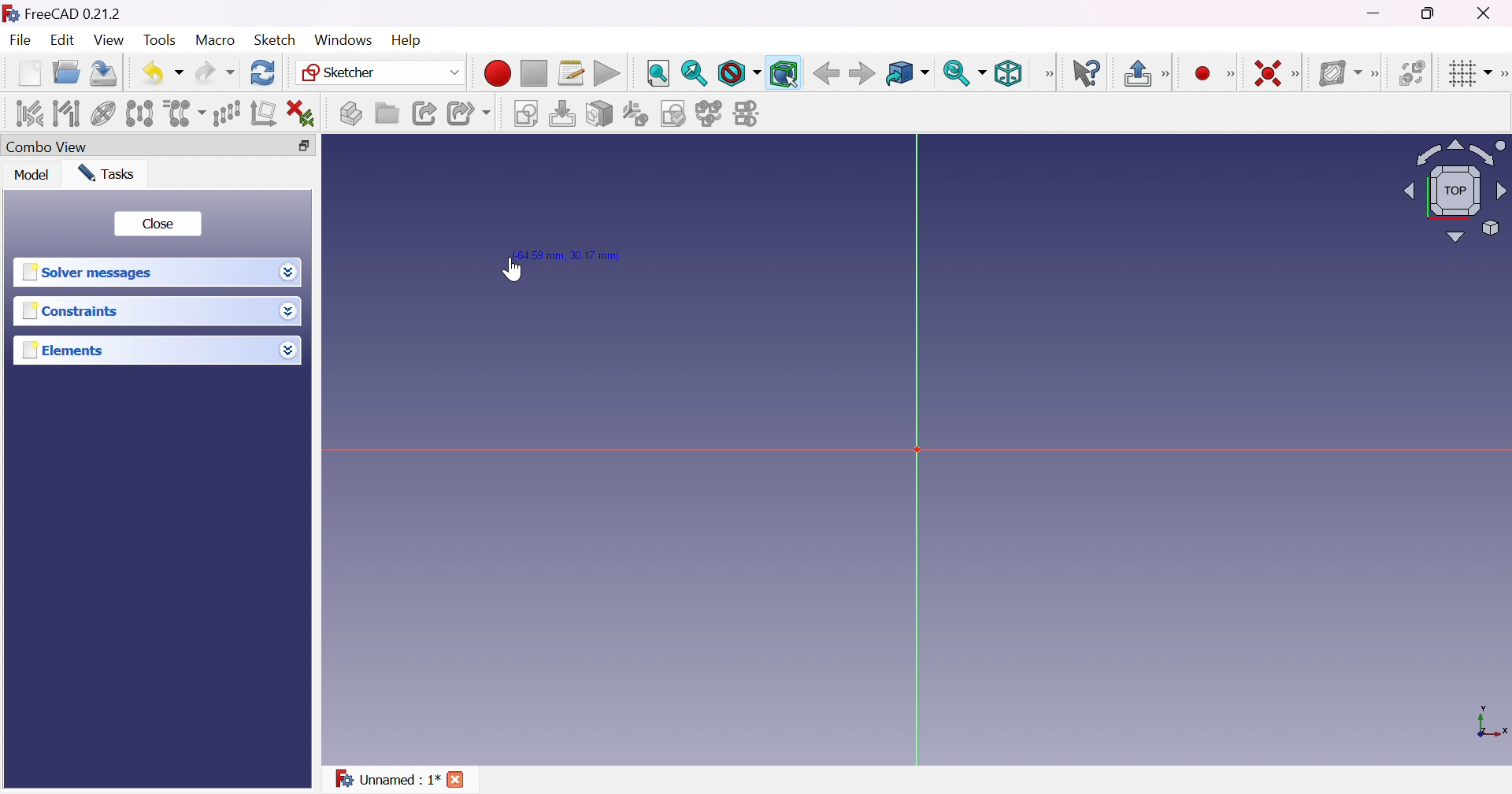  I want to click on Forward, so click(862, 74).